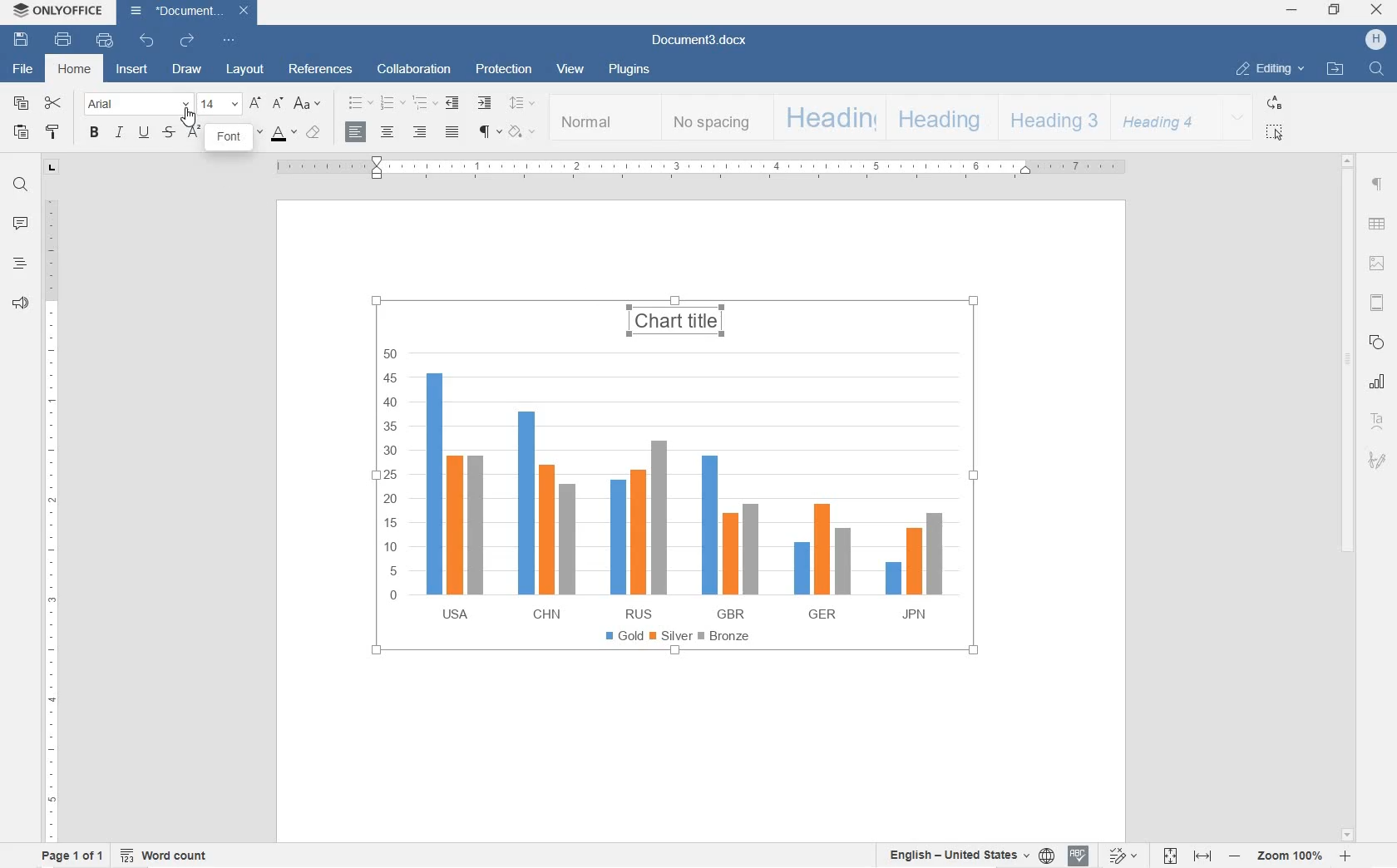  I want to click on HEADING 3, so click(1051, 118).